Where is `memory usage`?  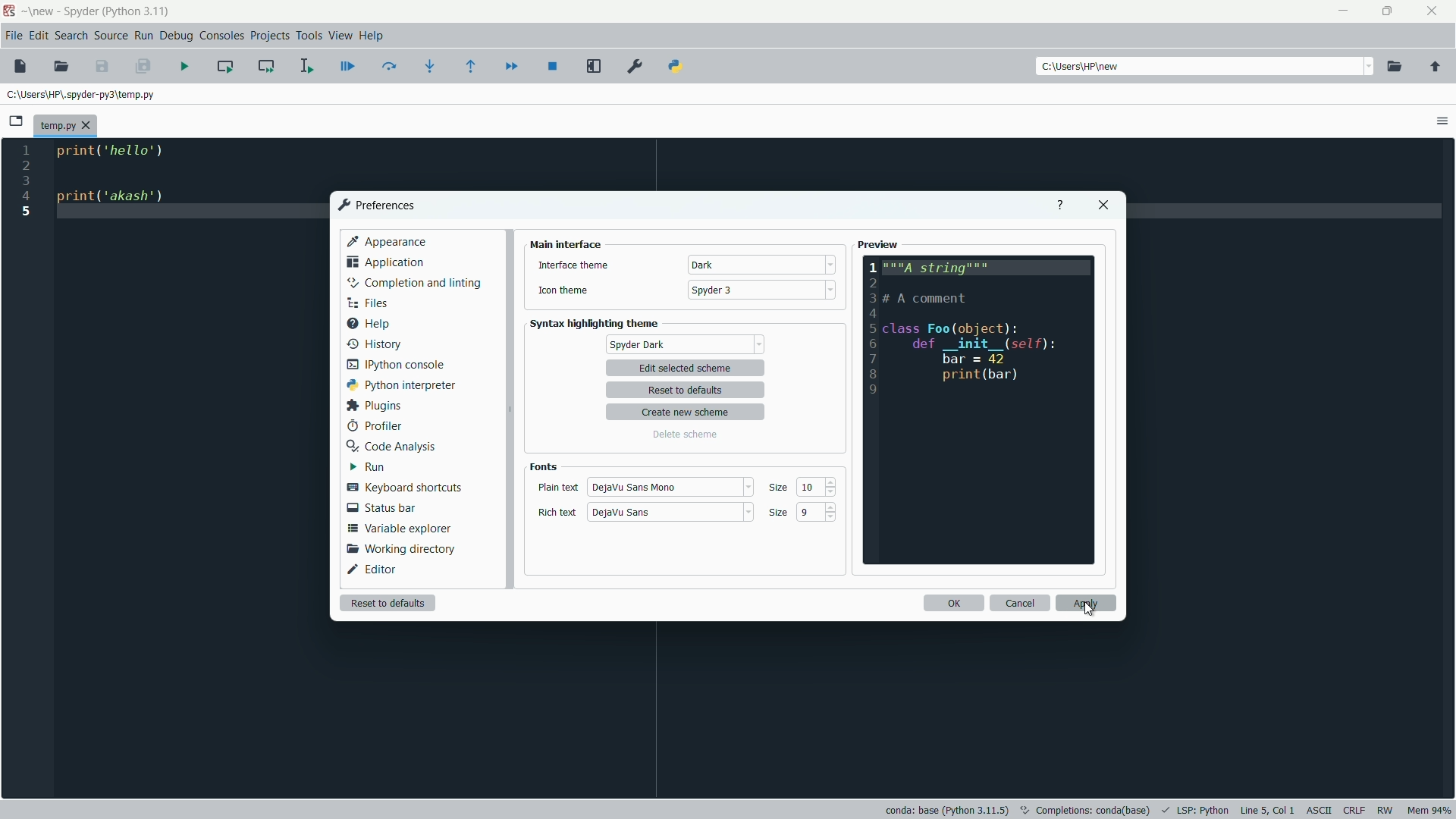 memory usage is located at coordinates (1430, 811).